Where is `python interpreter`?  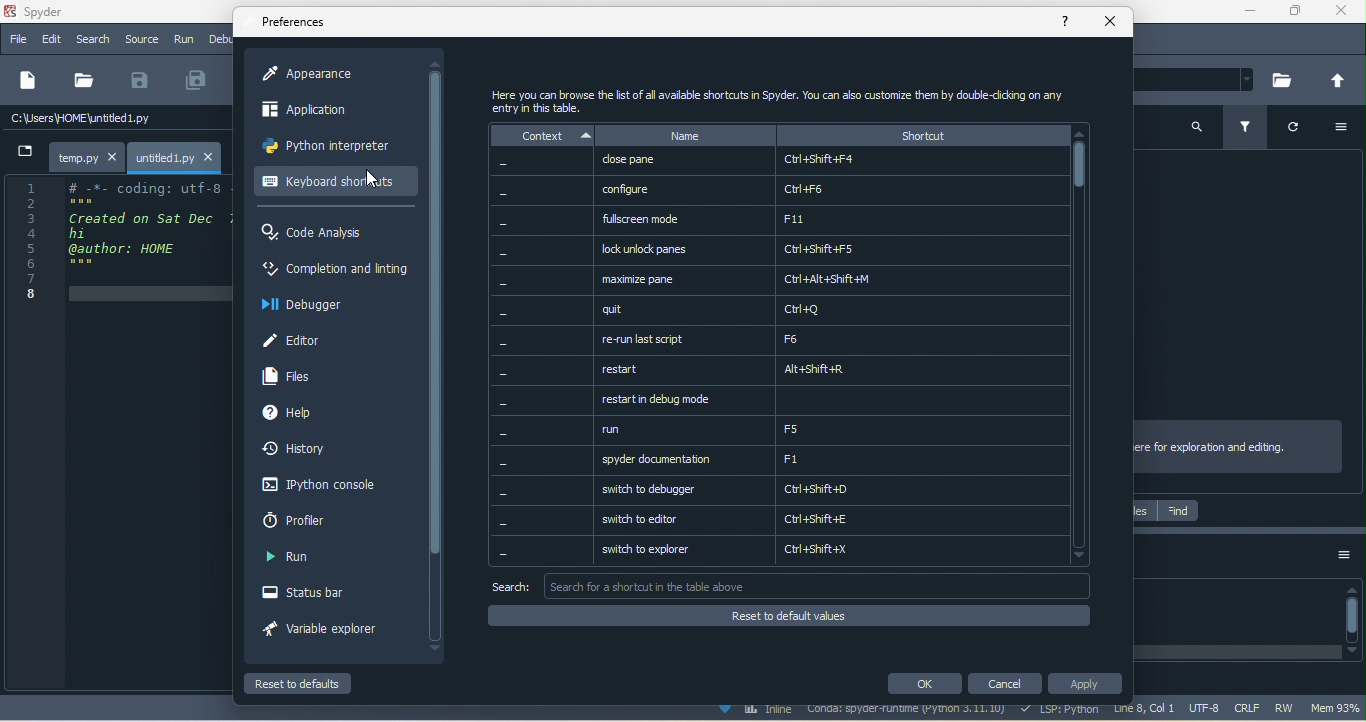
python interpreter is located at coordinates (329, 145).